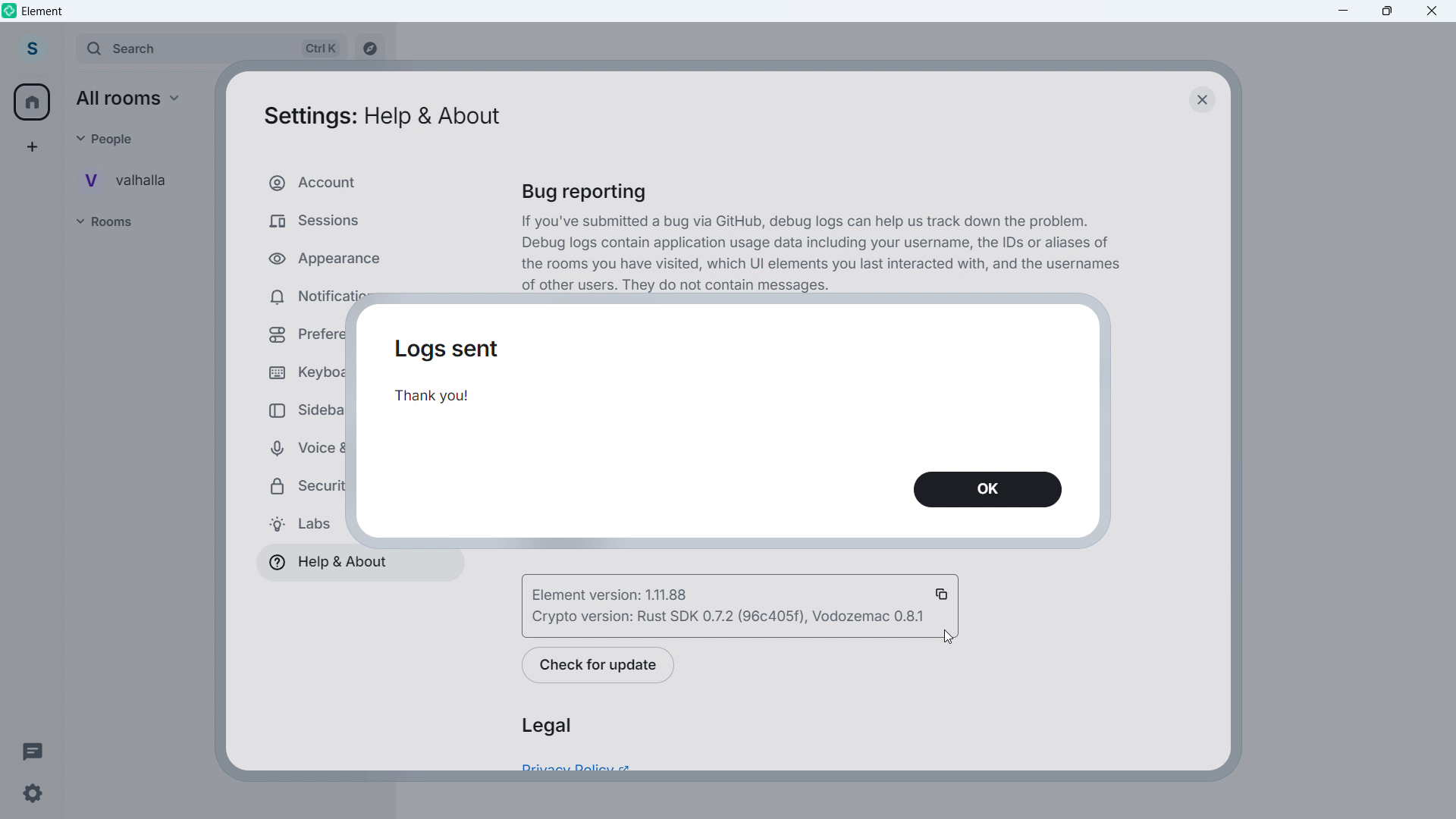 The height and width of the screenshot is (819, 1456). I want to click on Debug logs contain application usage data including your username, the IDs or aliases of, so click(817, 243).